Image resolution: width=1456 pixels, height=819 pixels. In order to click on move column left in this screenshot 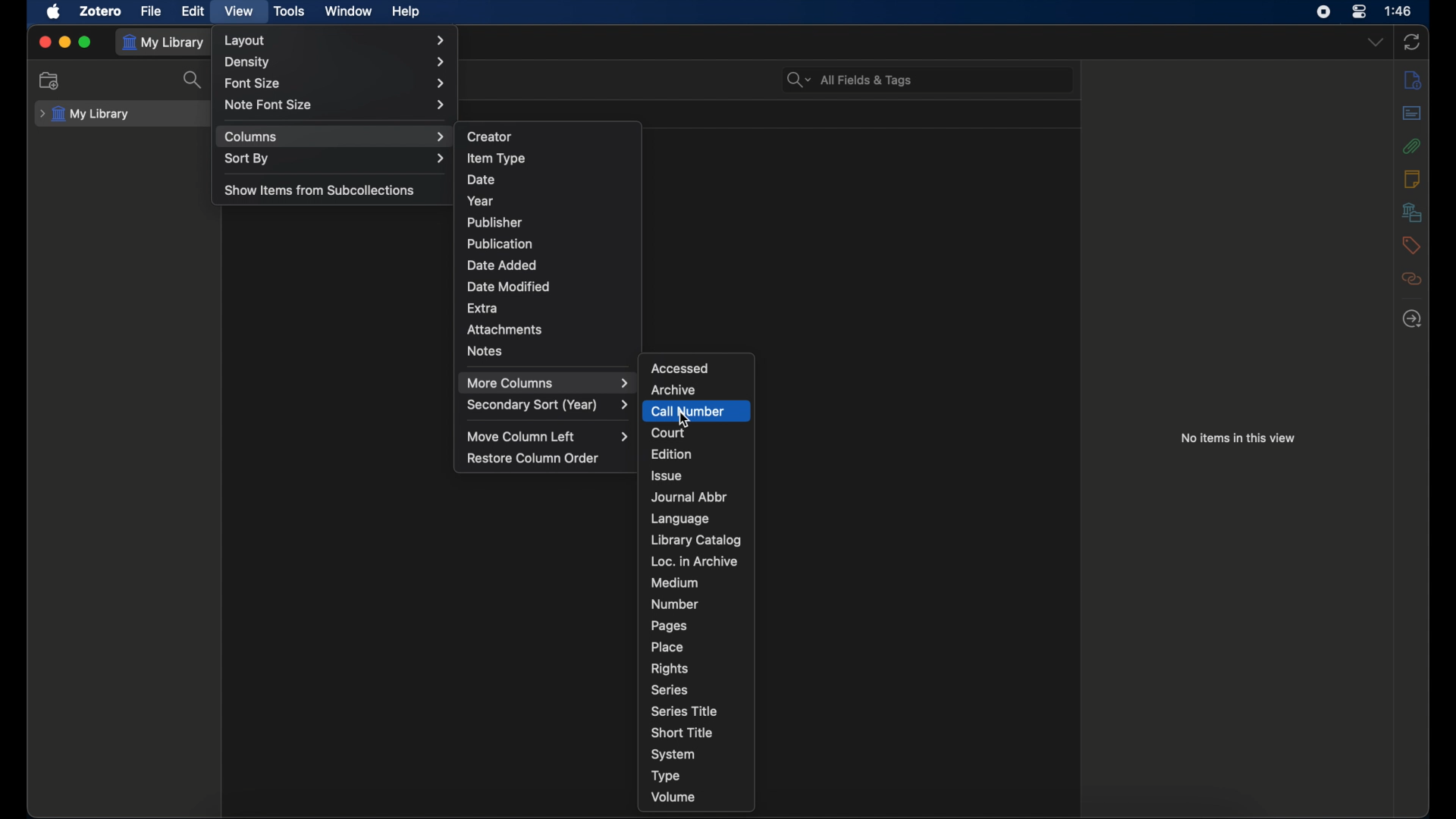, I will do `click(550, 437)`.